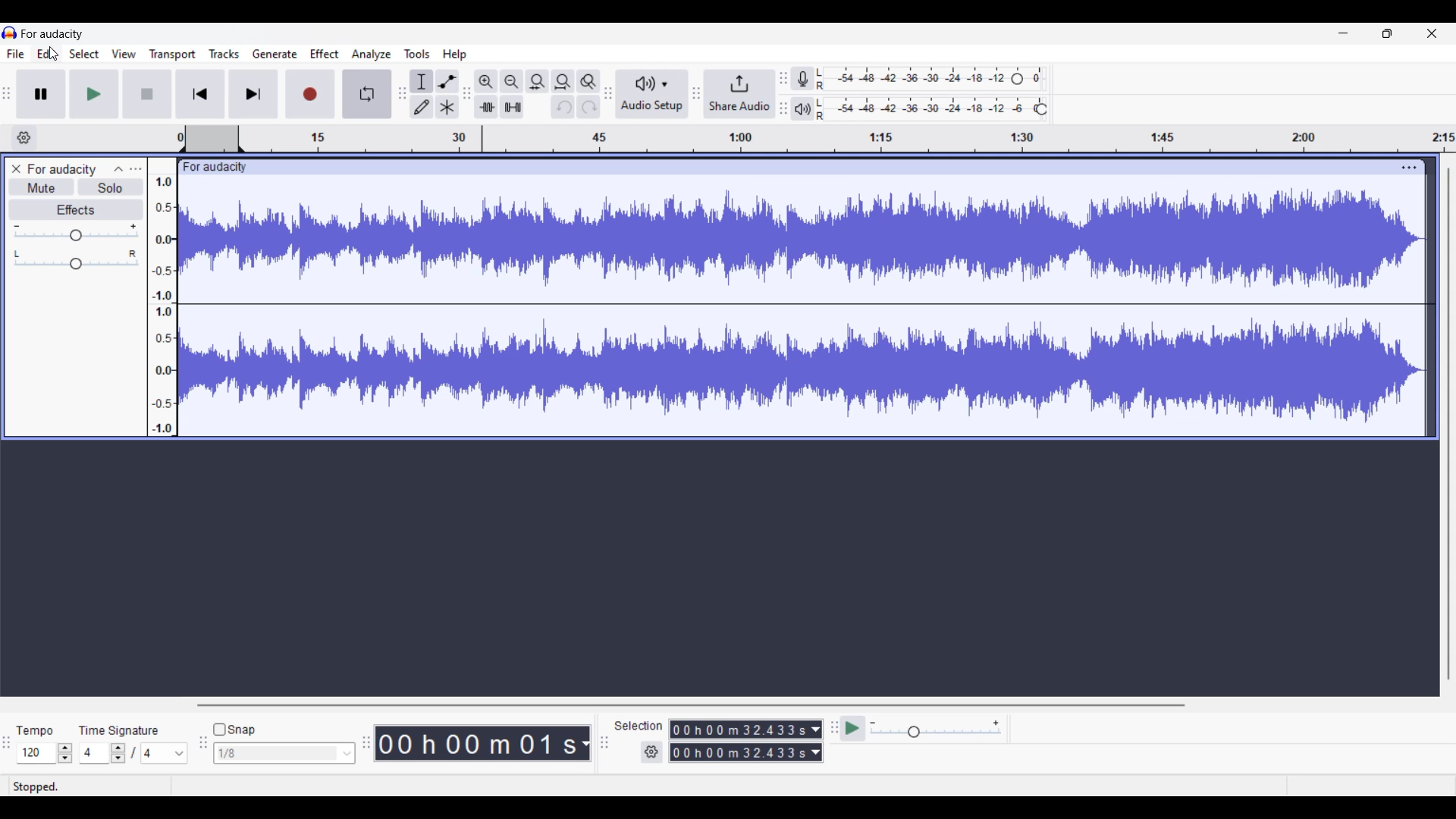  I want to click on Share audio, so click(740, 93).